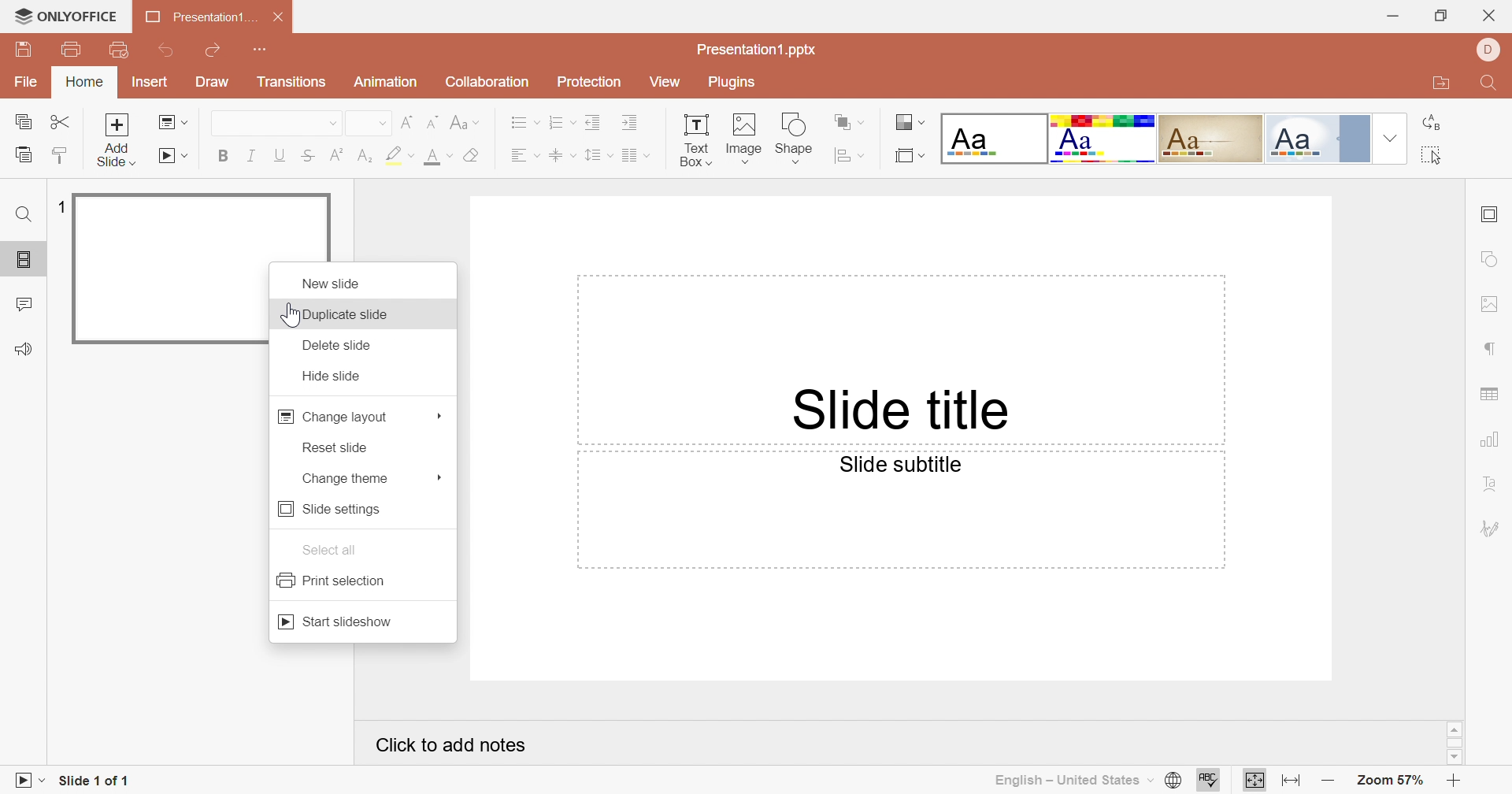 This screenshot has height=794, width=1512. Describe the element at coordinates (667, 84) in the screenshot. I see `View` at that location.